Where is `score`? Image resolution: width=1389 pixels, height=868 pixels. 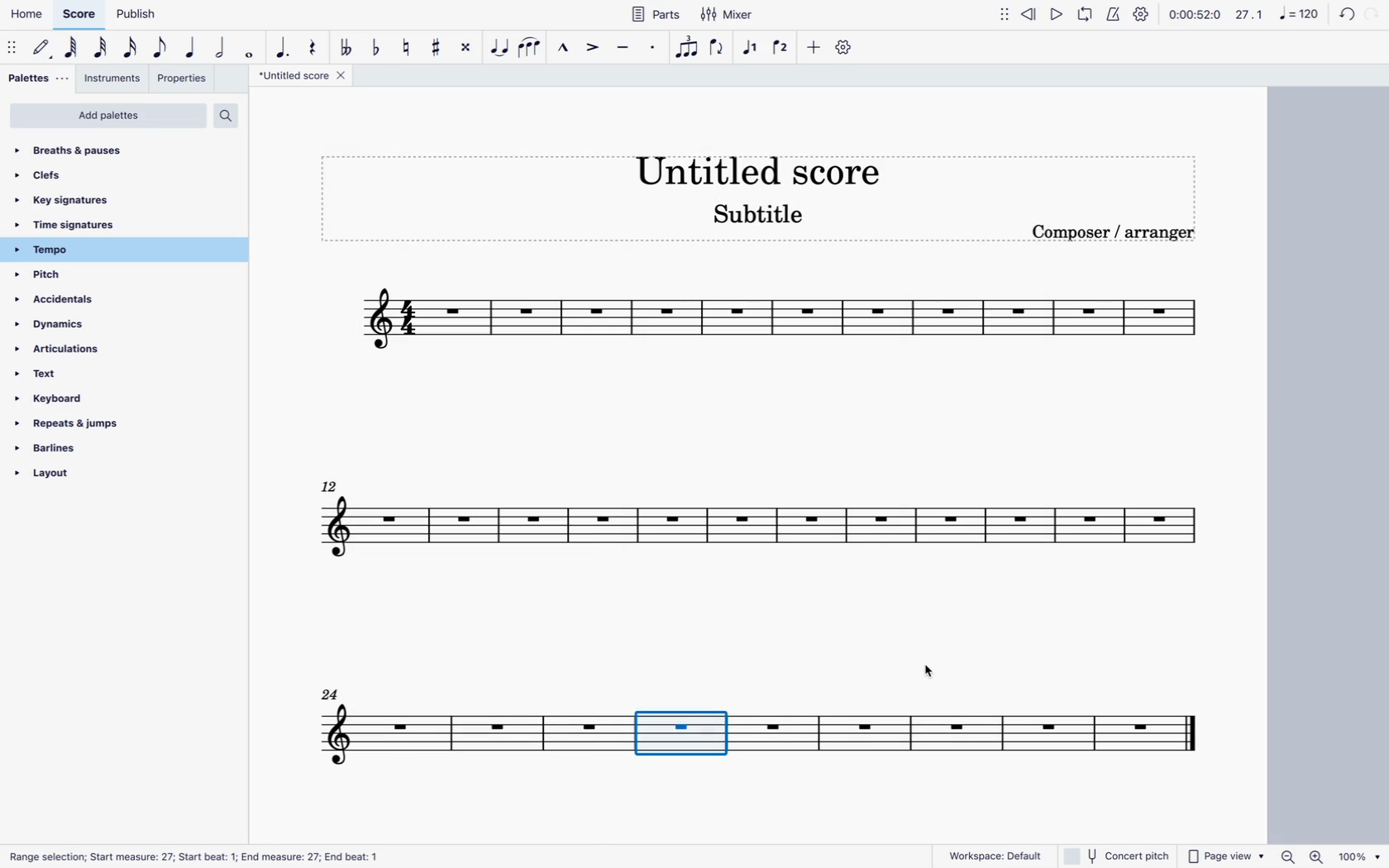
score is located at coordinates (760, 534).